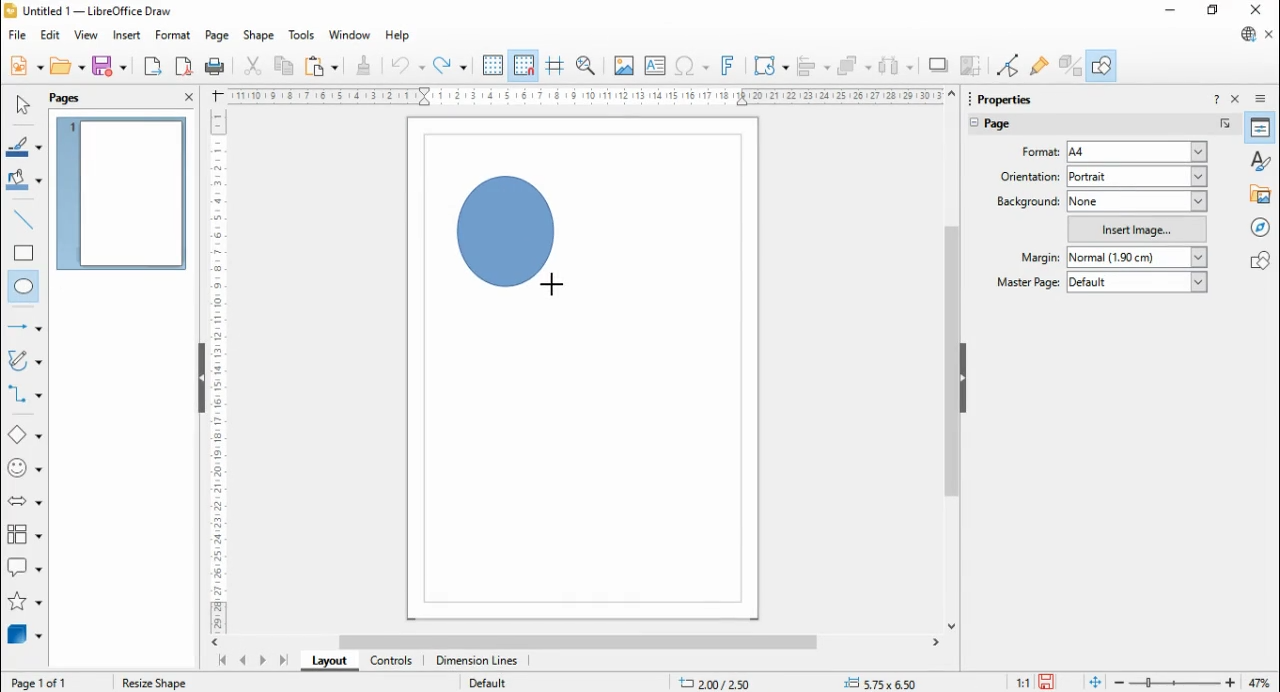  Describe the element at coordinates (1041, 151) in the screenshot. I see `page format` at that location.